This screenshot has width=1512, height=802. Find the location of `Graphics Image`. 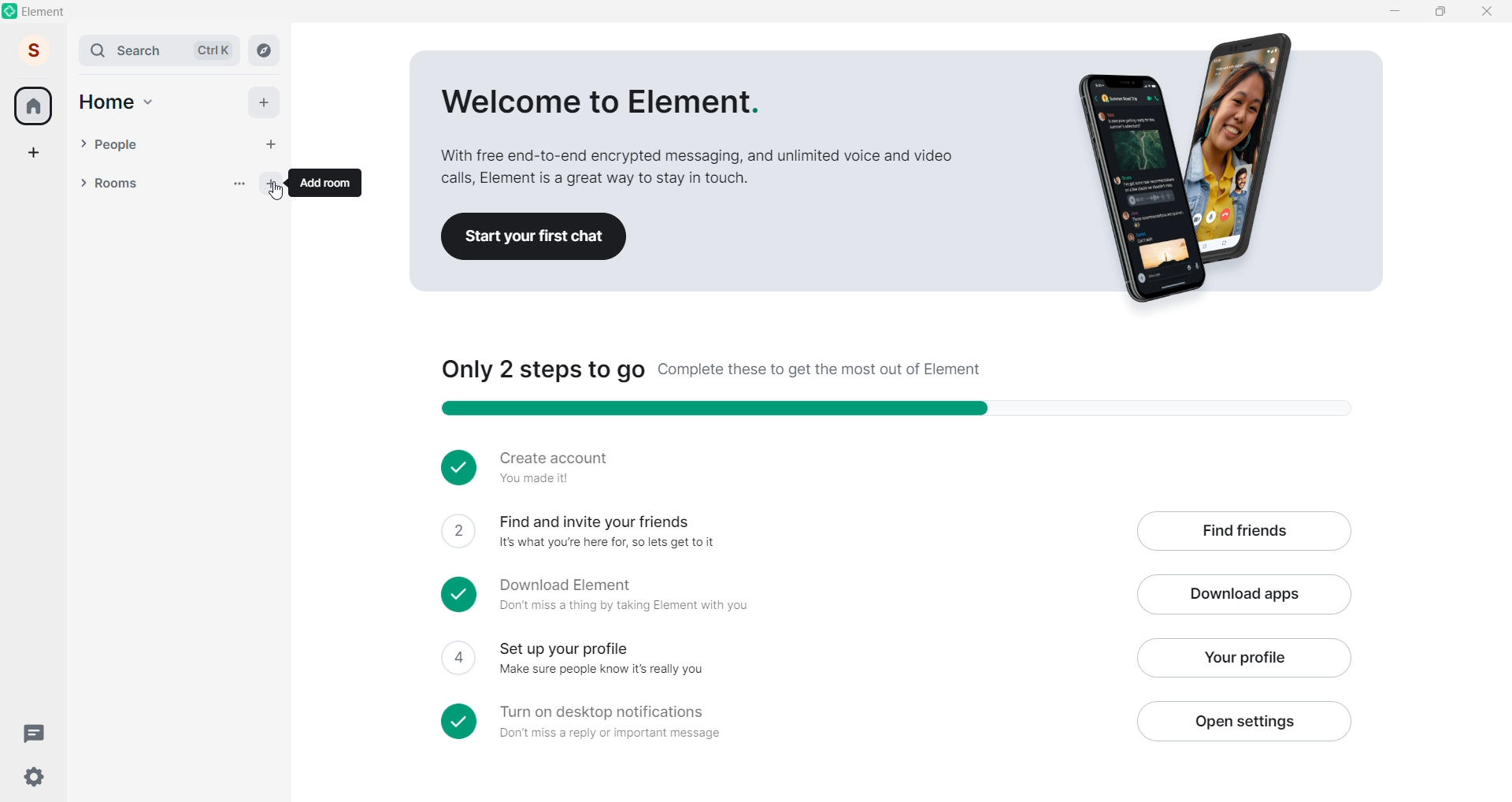

Graphics Image is located at coordinates (1194, 169).